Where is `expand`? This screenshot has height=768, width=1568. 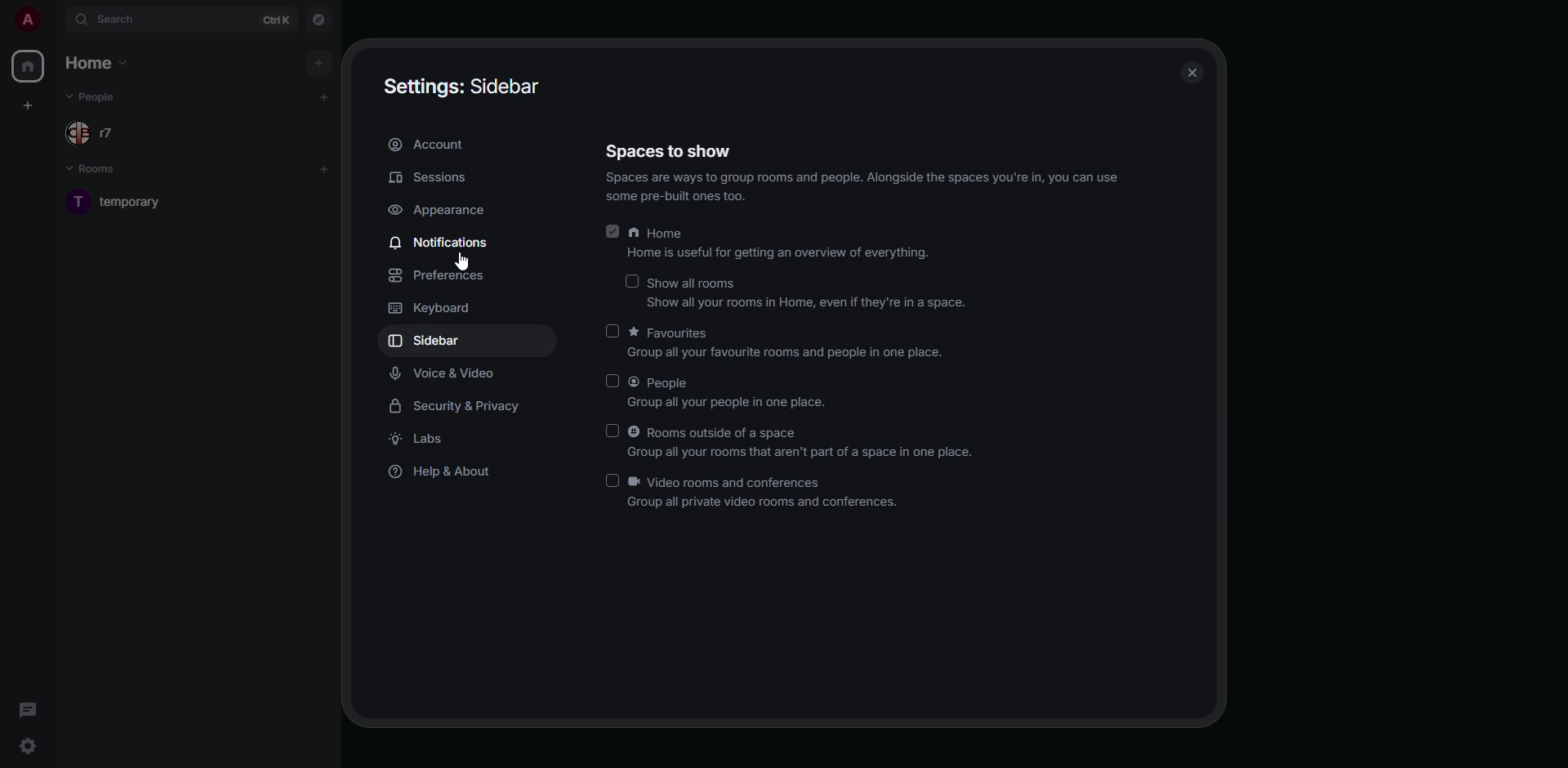 expand is located at coordinates (55, 19).